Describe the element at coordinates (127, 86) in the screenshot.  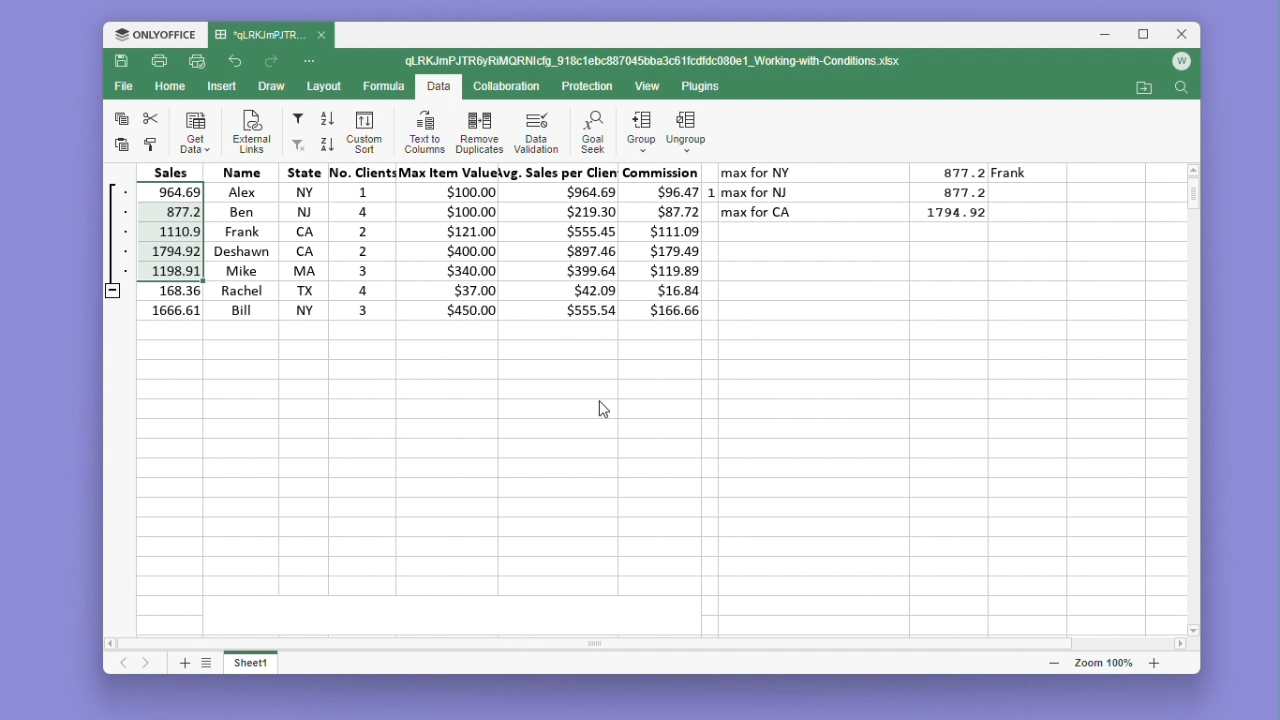
I see `File` at that location.